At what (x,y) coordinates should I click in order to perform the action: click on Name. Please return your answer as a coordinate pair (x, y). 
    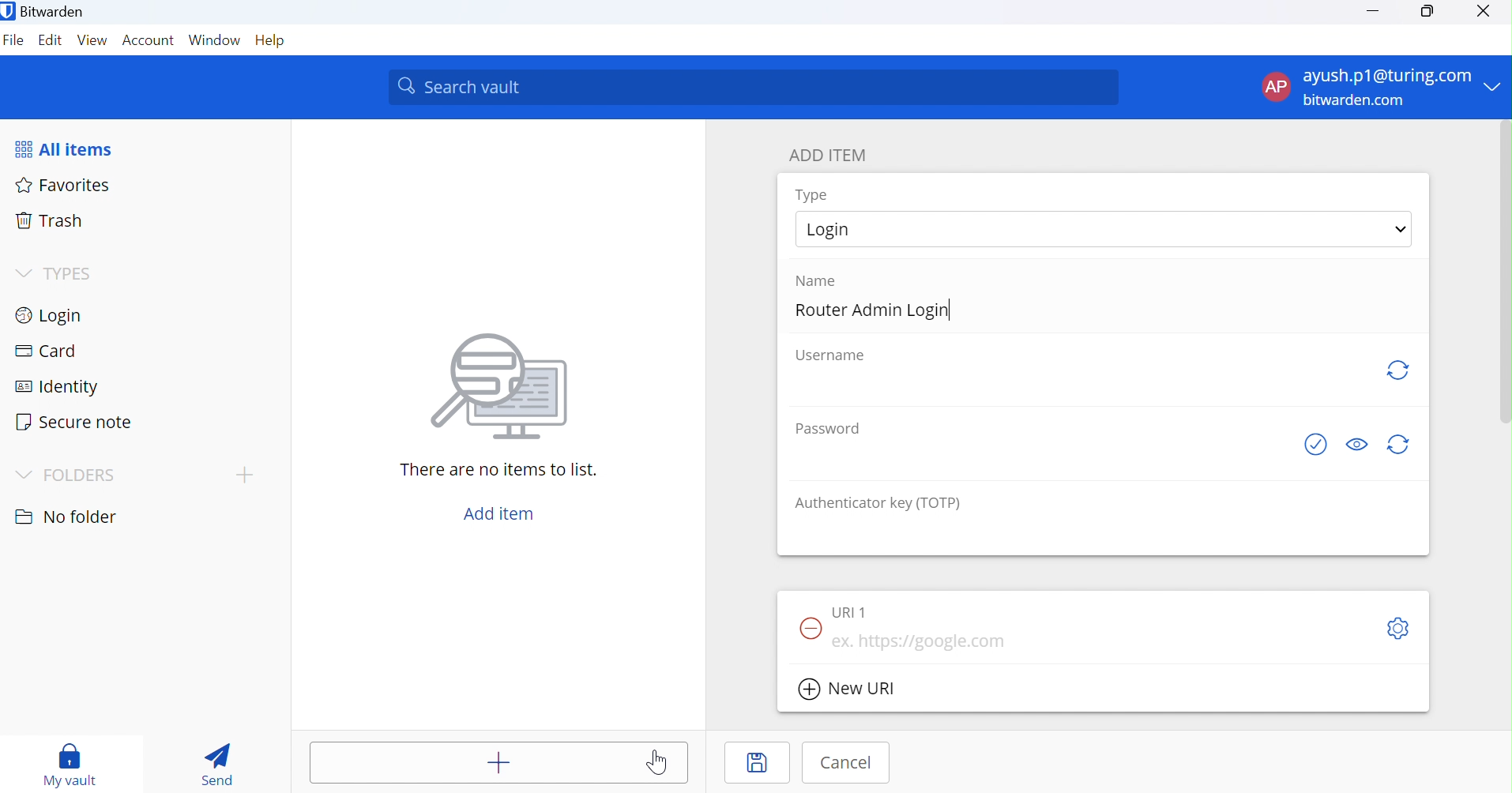
    Looking at the image, I should click on (825, 280).